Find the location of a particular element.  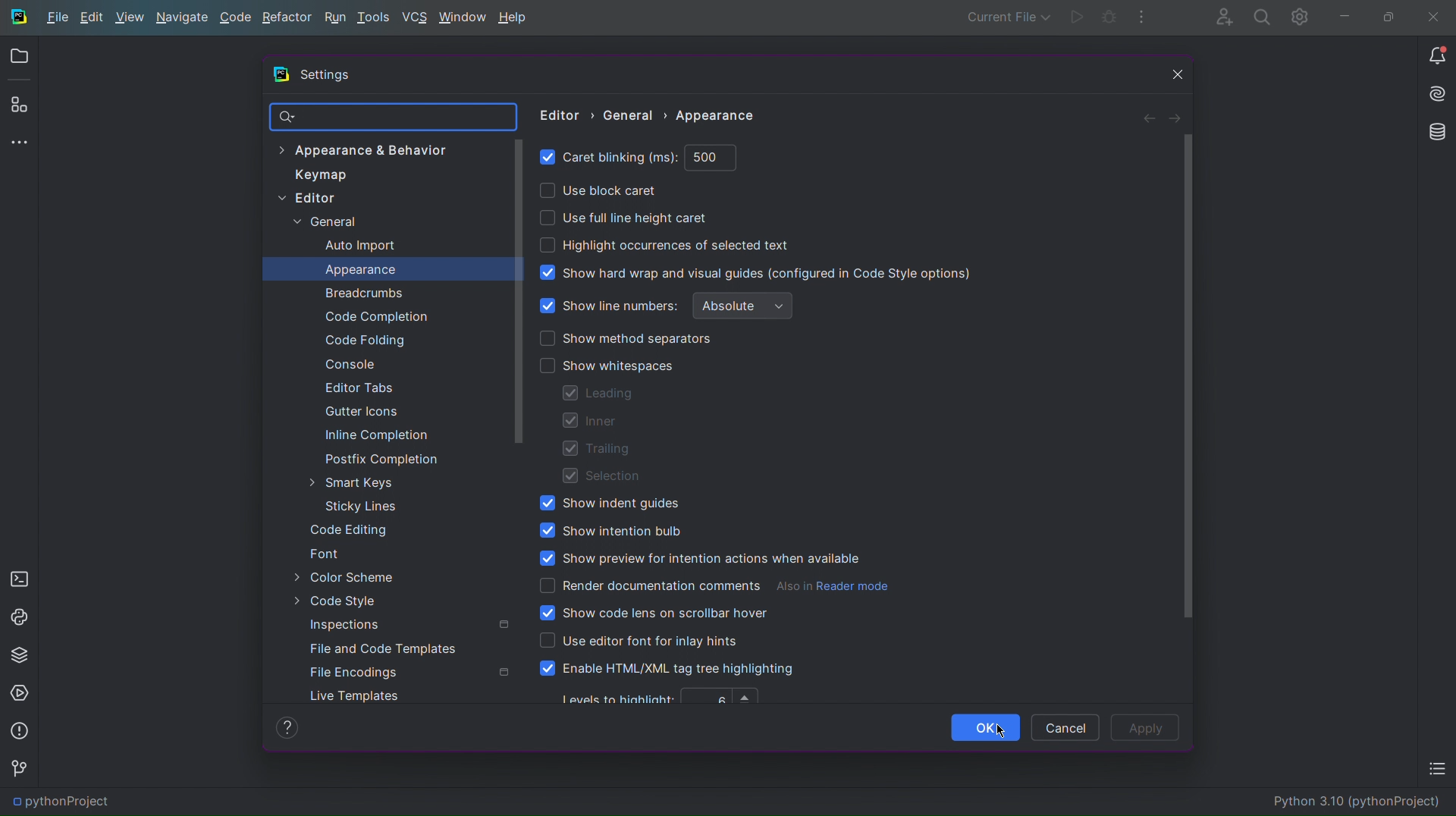

More is located at coordinates (21, 143).